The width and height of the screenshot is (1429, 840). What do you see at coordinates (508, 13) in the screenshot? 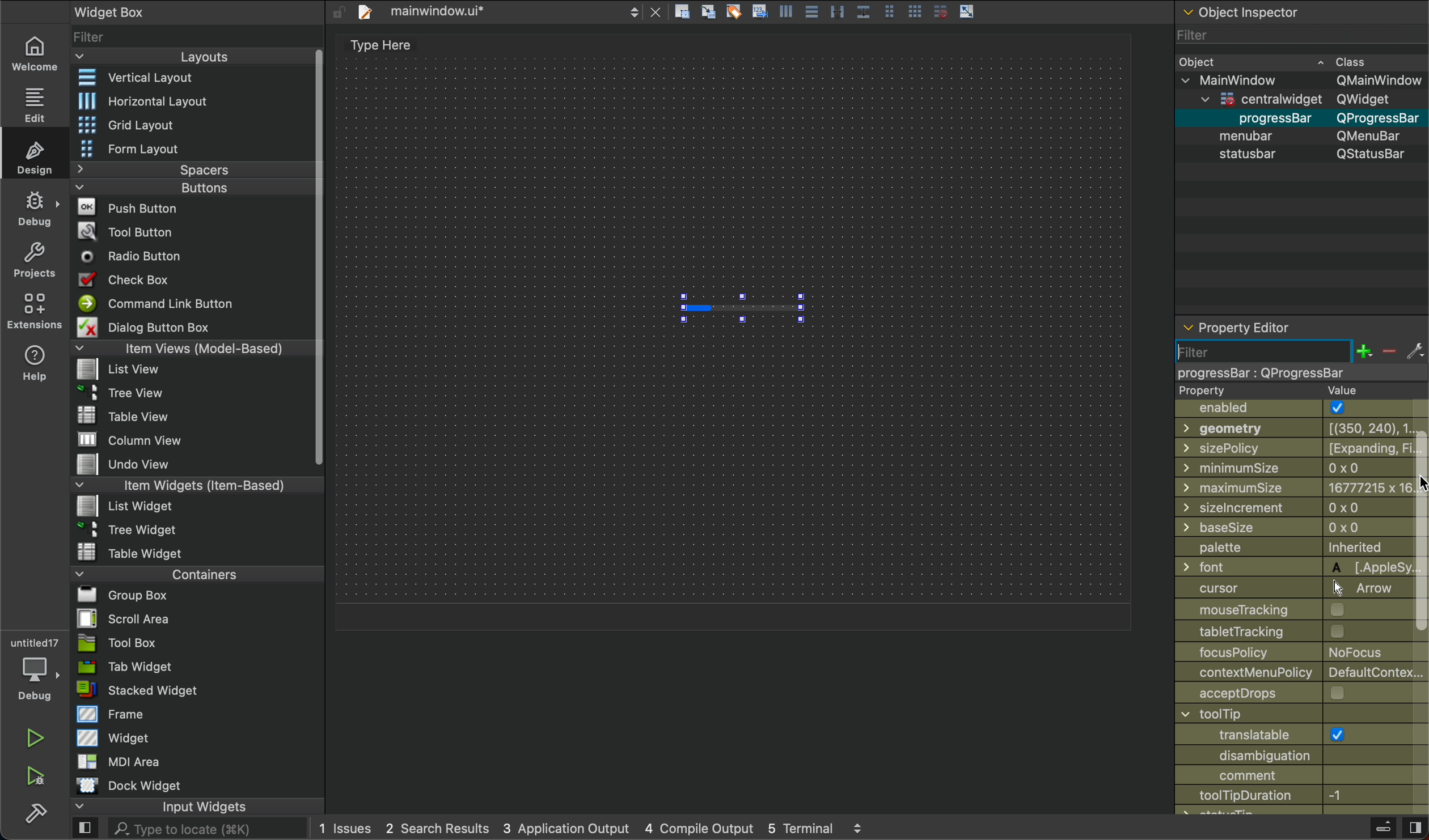
I see `file tab` at bounding box center [508, 13].